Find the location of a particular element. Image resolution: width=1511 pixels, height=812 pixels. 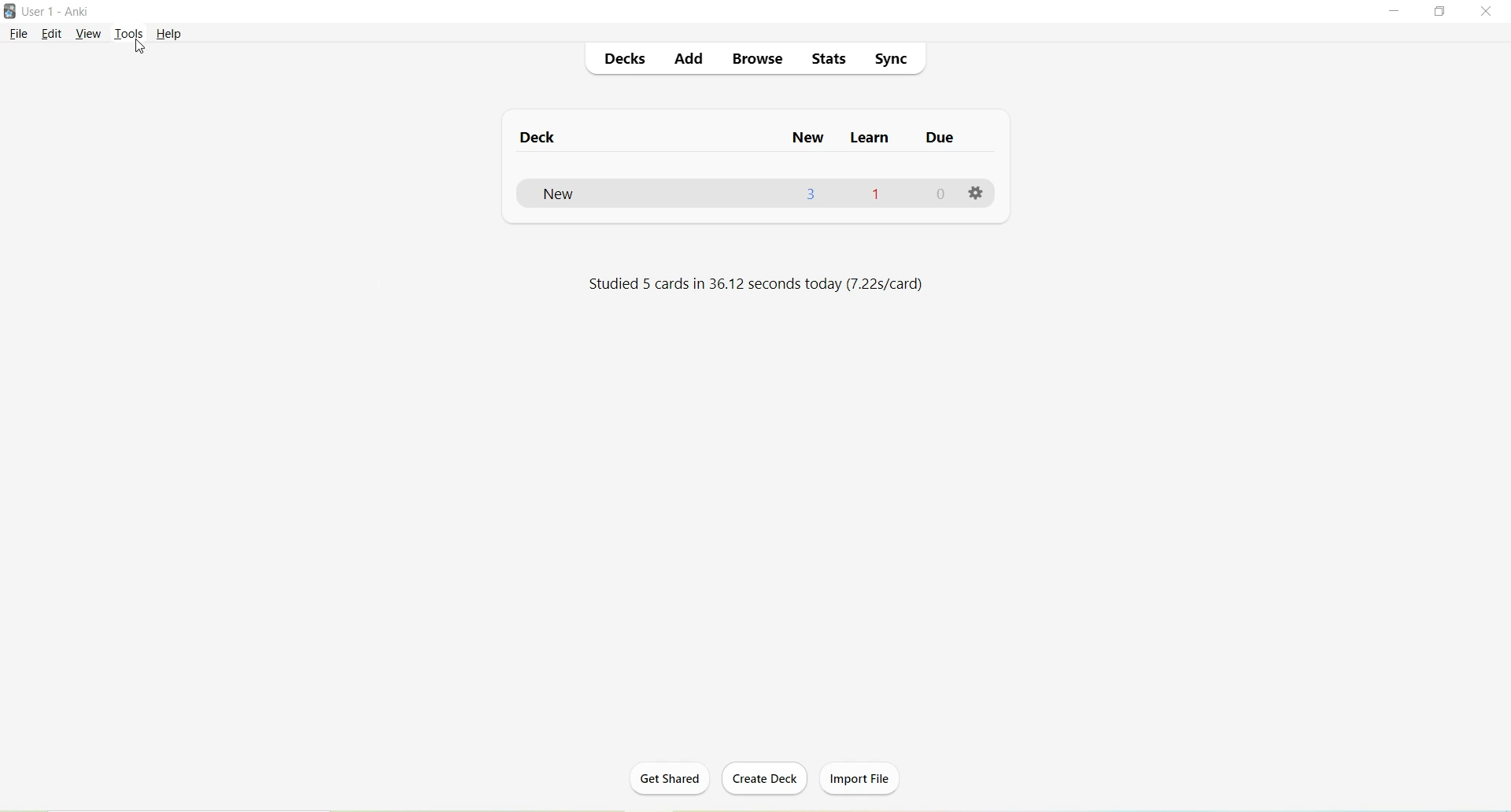

Minimize is located at coordinates (1396, 12).